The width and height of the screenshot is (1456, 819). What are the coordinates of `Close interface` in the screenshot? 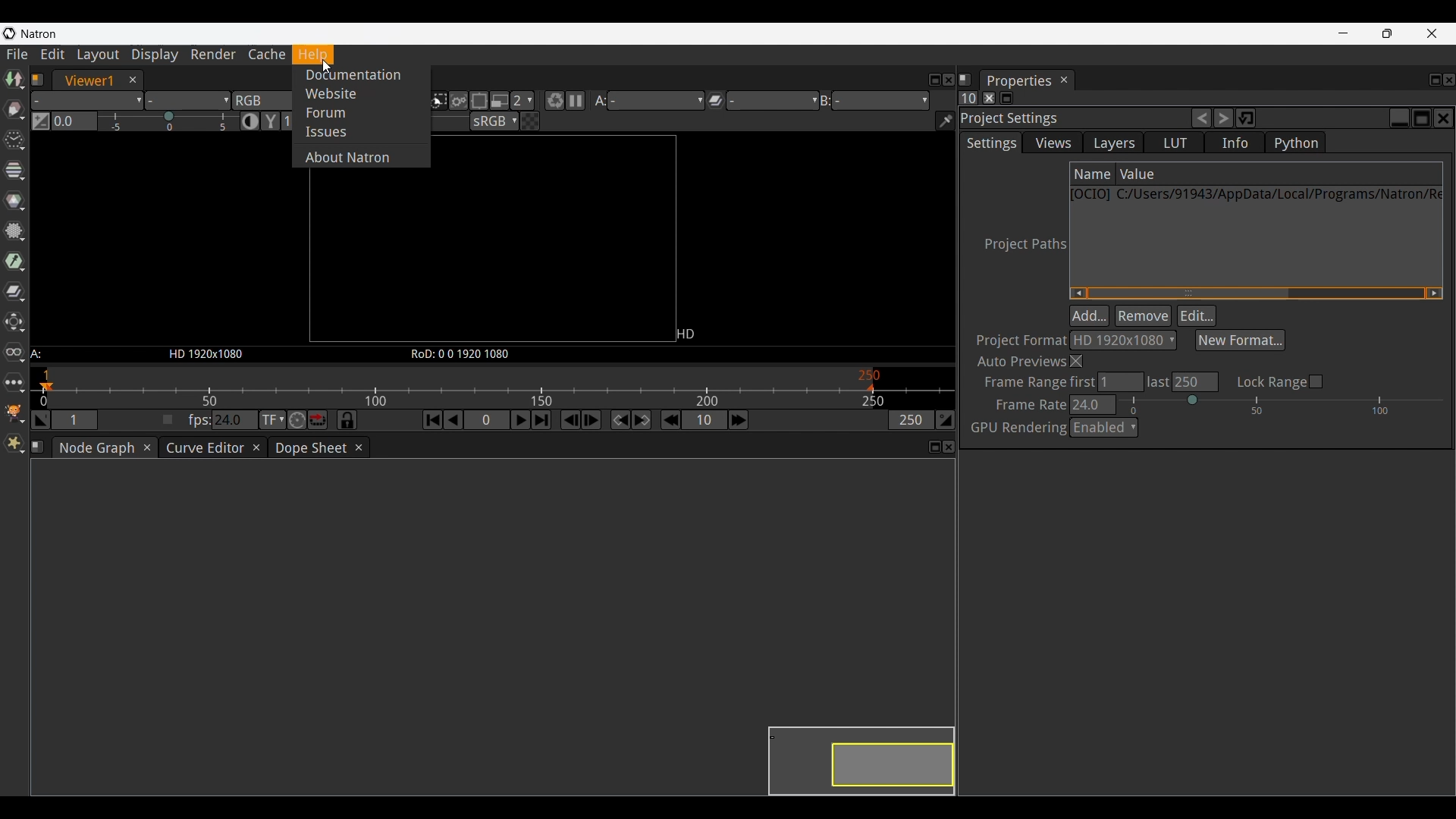 It's located at (1432, 33).